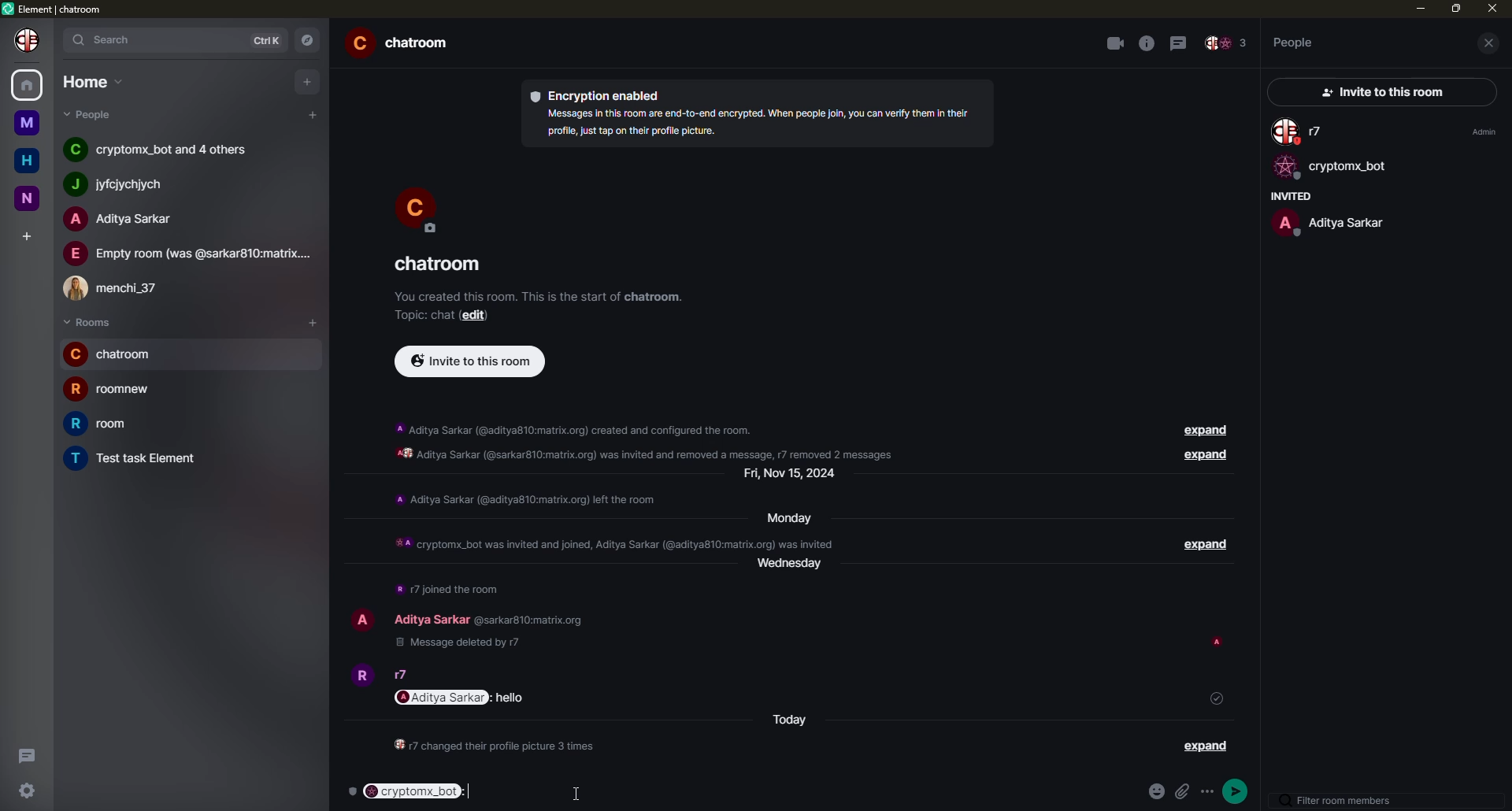 The width and height of the screenshot is (1512, 811). What do you see at coordinates (754, 122) in the screenshot?
I see `info` at bounding box center [754, 122].